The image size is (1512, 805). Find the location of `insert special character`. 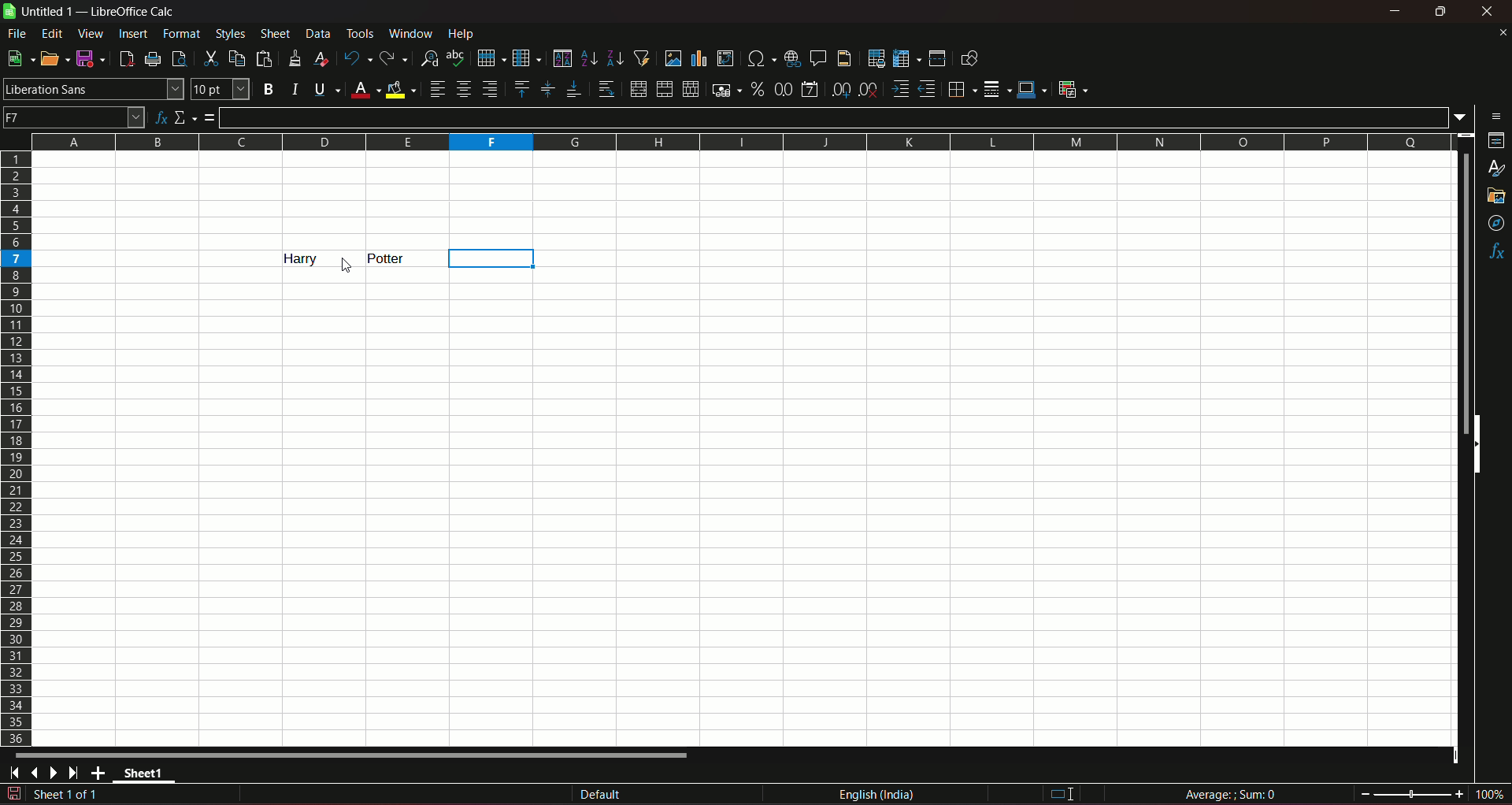

insert special character is located at coordinates (759, 57).